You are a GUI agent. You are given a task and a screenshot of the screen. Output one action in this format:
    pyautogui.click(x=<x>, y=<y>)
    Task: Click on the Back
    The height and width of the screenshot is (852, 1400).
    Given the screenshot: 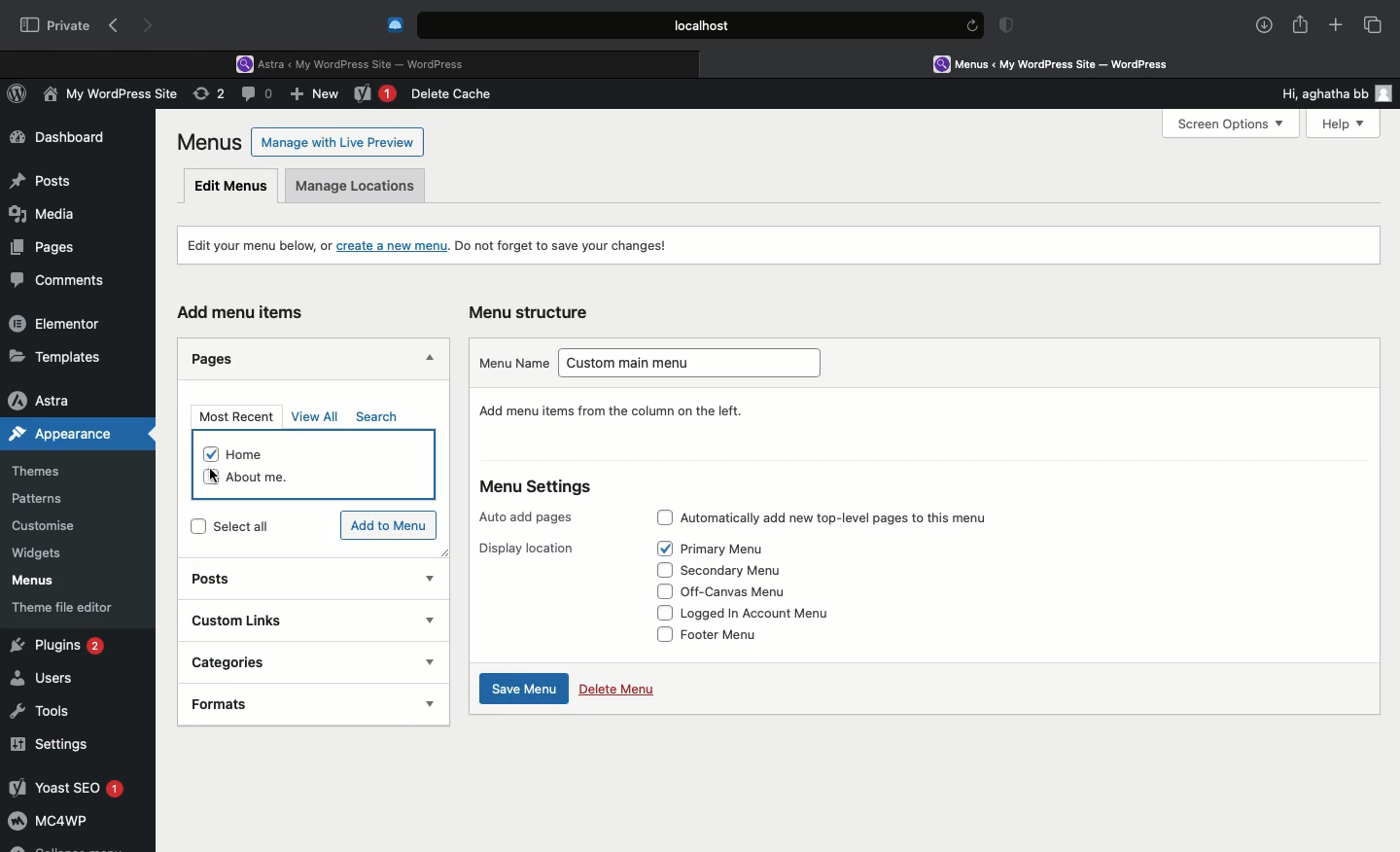 What is the action you would take?
    pyautogui.click(x=118, y=26)
    